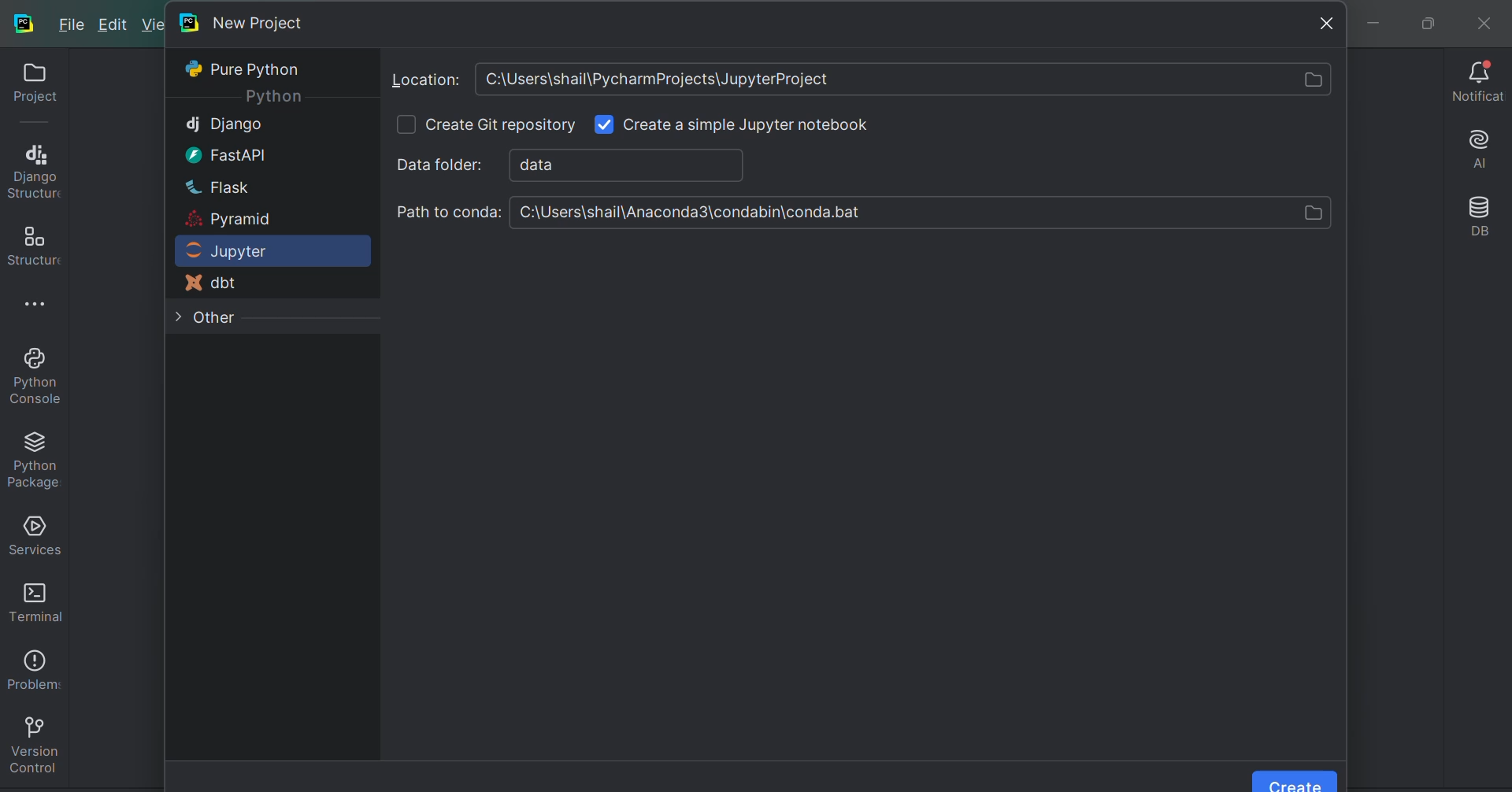  Describe the element at coordinates (29, 87) in the screenshot. I see `Projects` at that location.